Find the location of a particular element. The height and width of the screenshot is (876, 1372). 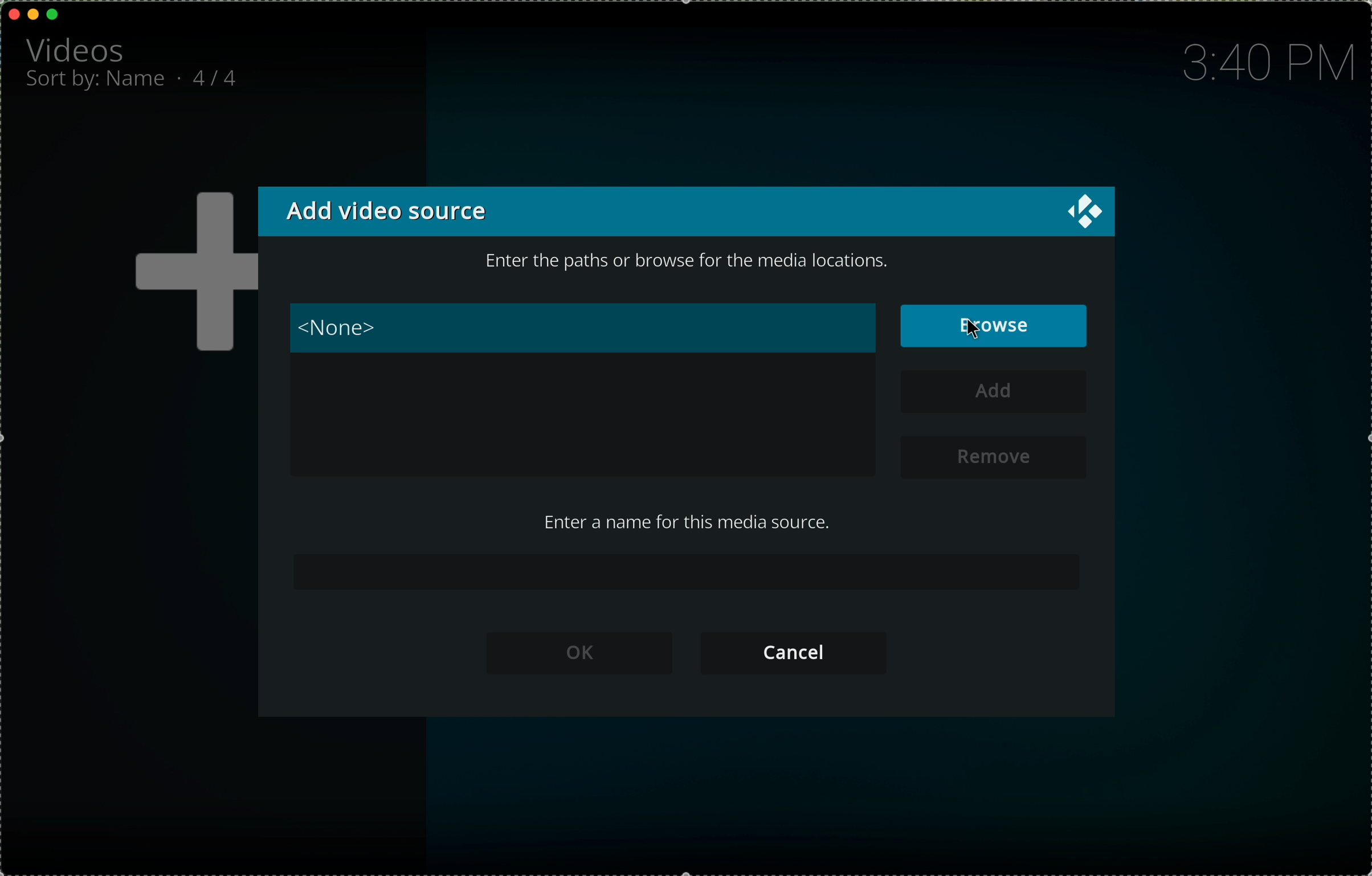

maximise is located at coordinates (54, 14).